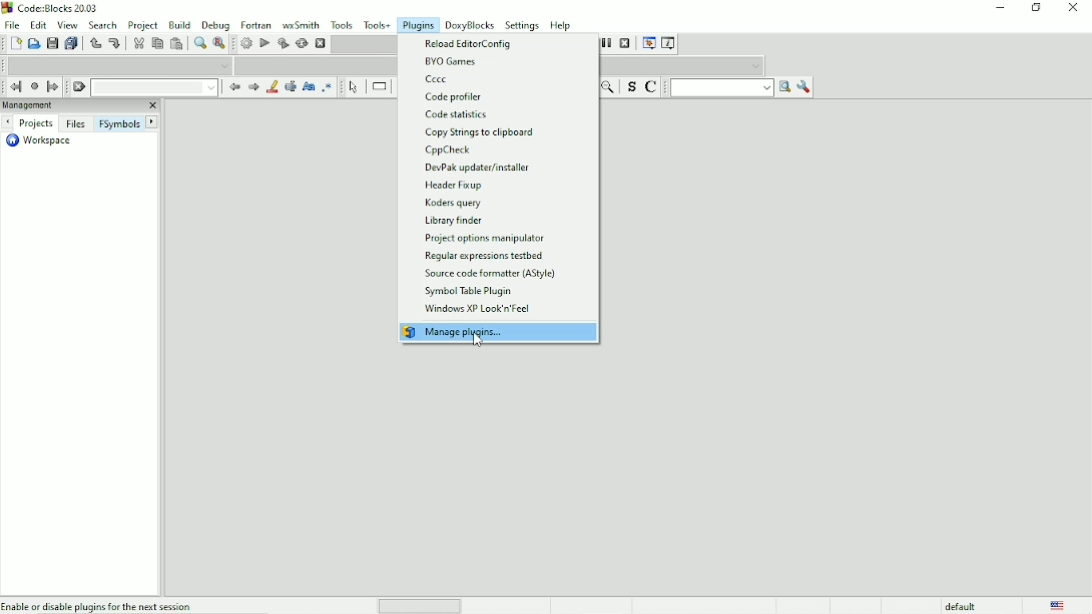  What do you see at coordinates (308, 87) in the screenshot?
I see `Match case` at bounding box center [308, 87].